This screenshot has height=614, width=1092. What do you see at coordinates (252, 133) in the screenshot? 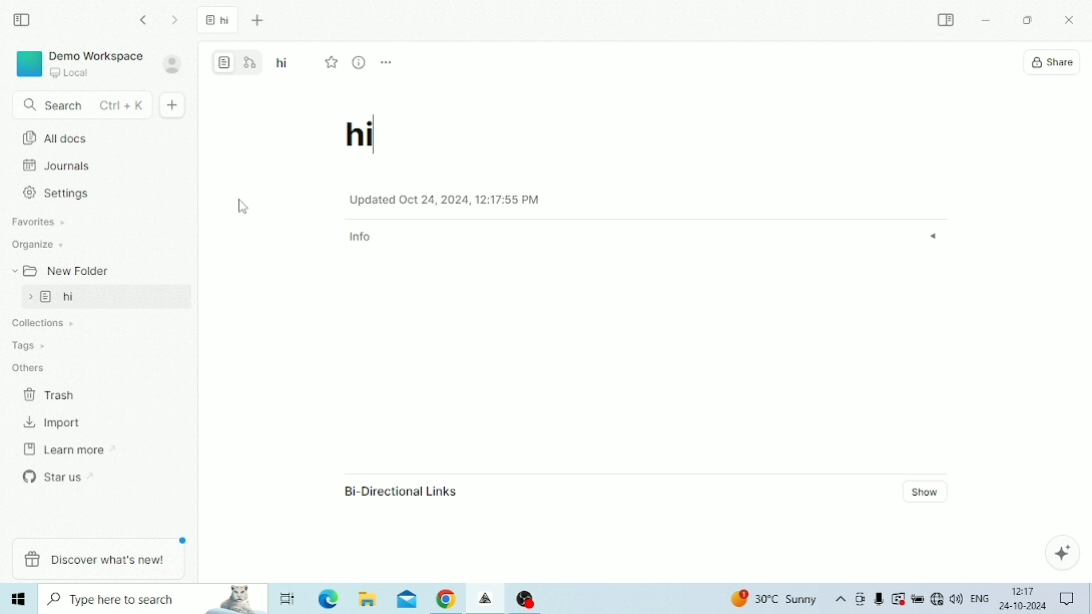
I see `All docs` at bounding box center [252, 133].